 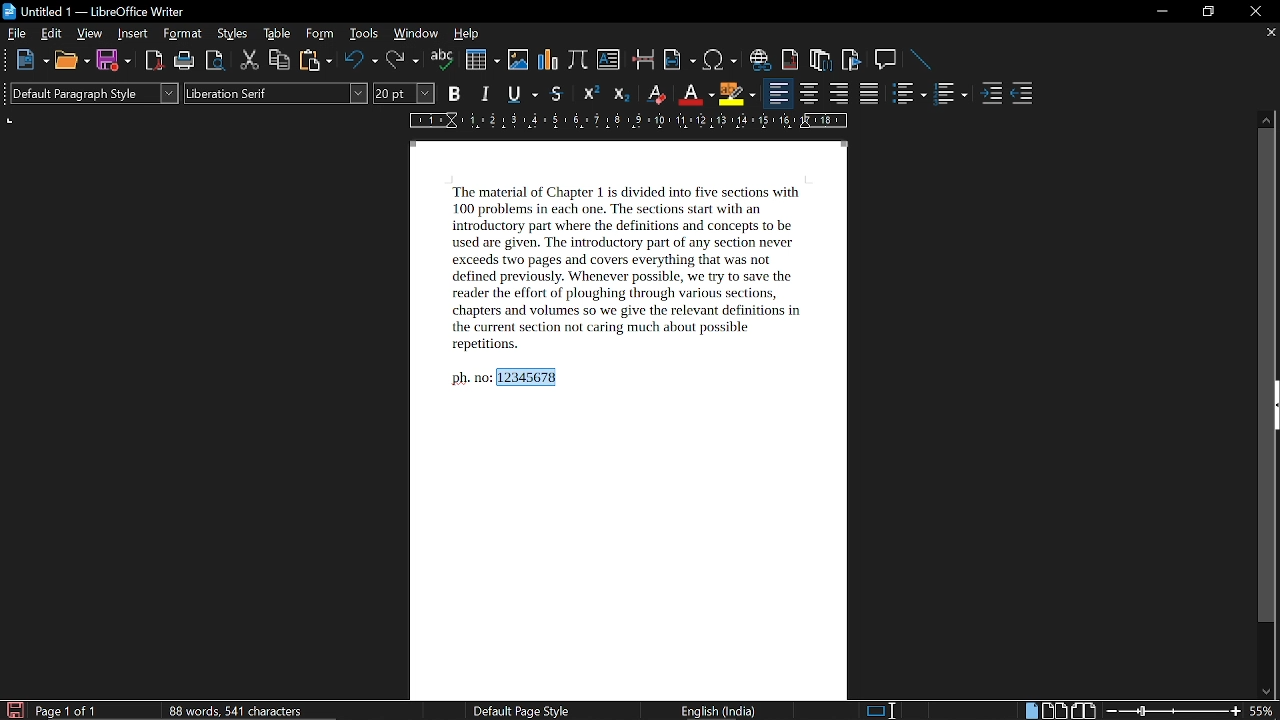 What do you see at coordinates (547, 59) in the screenshot?
I see `insert chart` at bounding box center [547, 59].